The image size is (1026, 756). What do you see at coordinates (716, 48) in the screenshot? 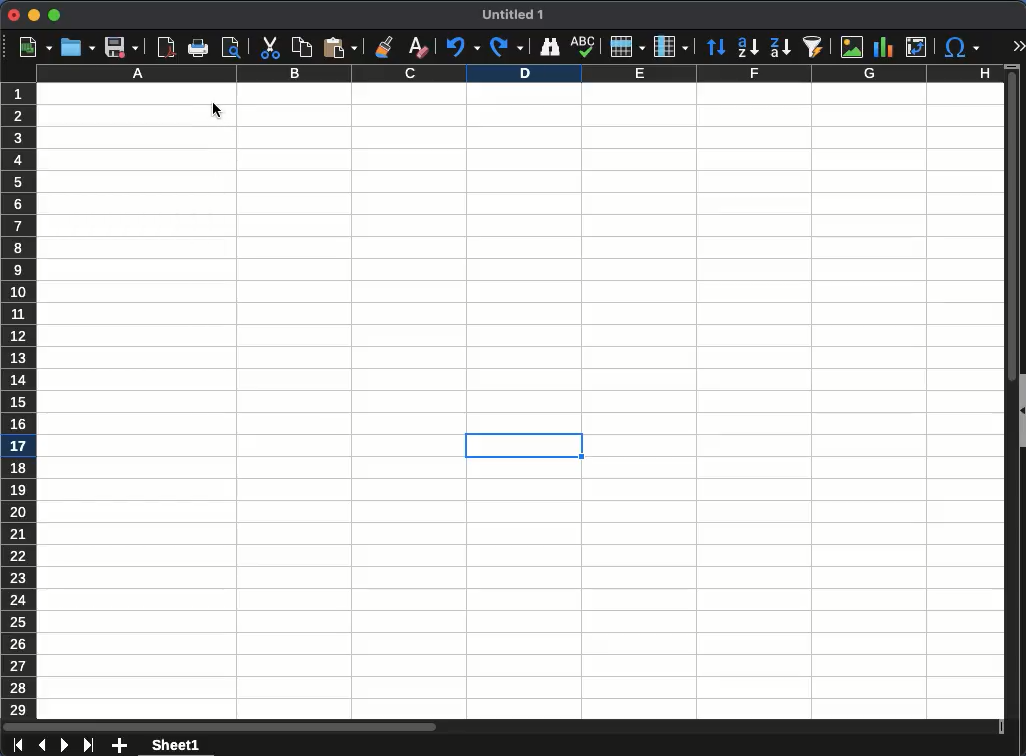
I see `sort` at bounding box center [716, 48].